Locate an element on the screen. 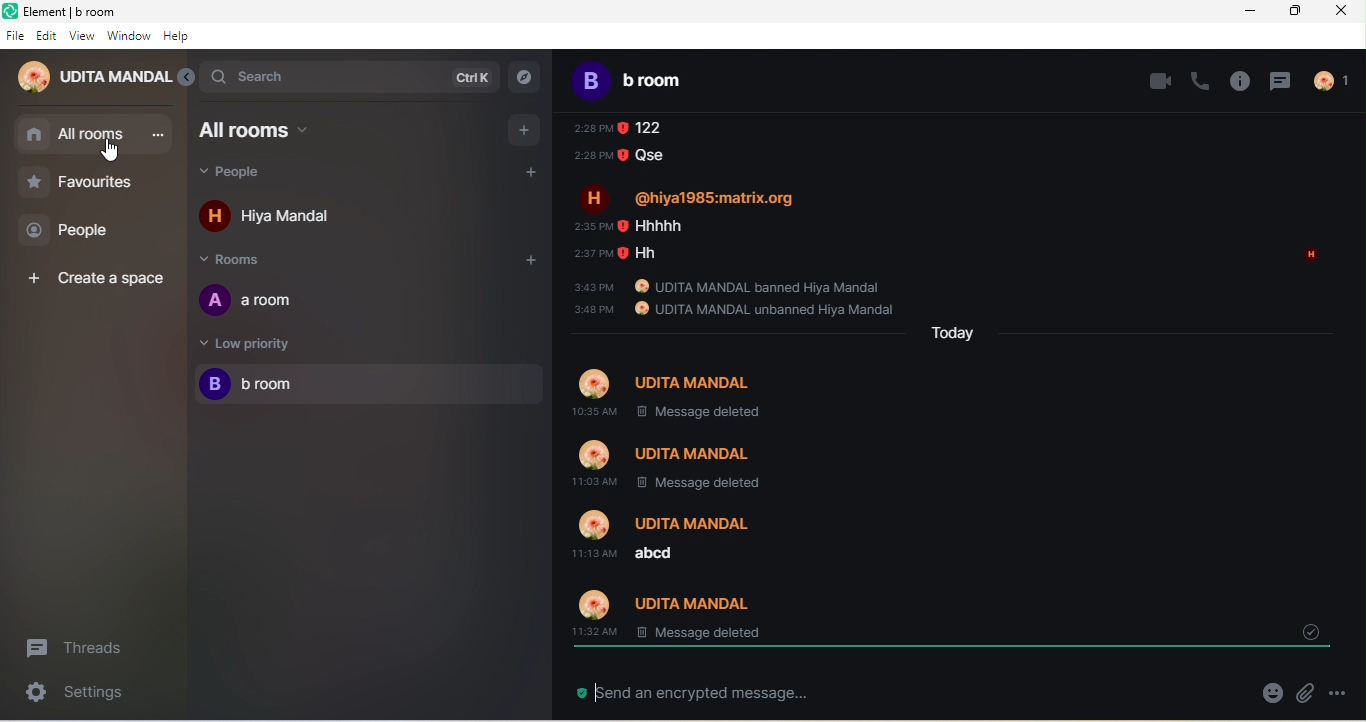 This screenshot has height=722, width=1366. view is located at coordinates (82, 38).